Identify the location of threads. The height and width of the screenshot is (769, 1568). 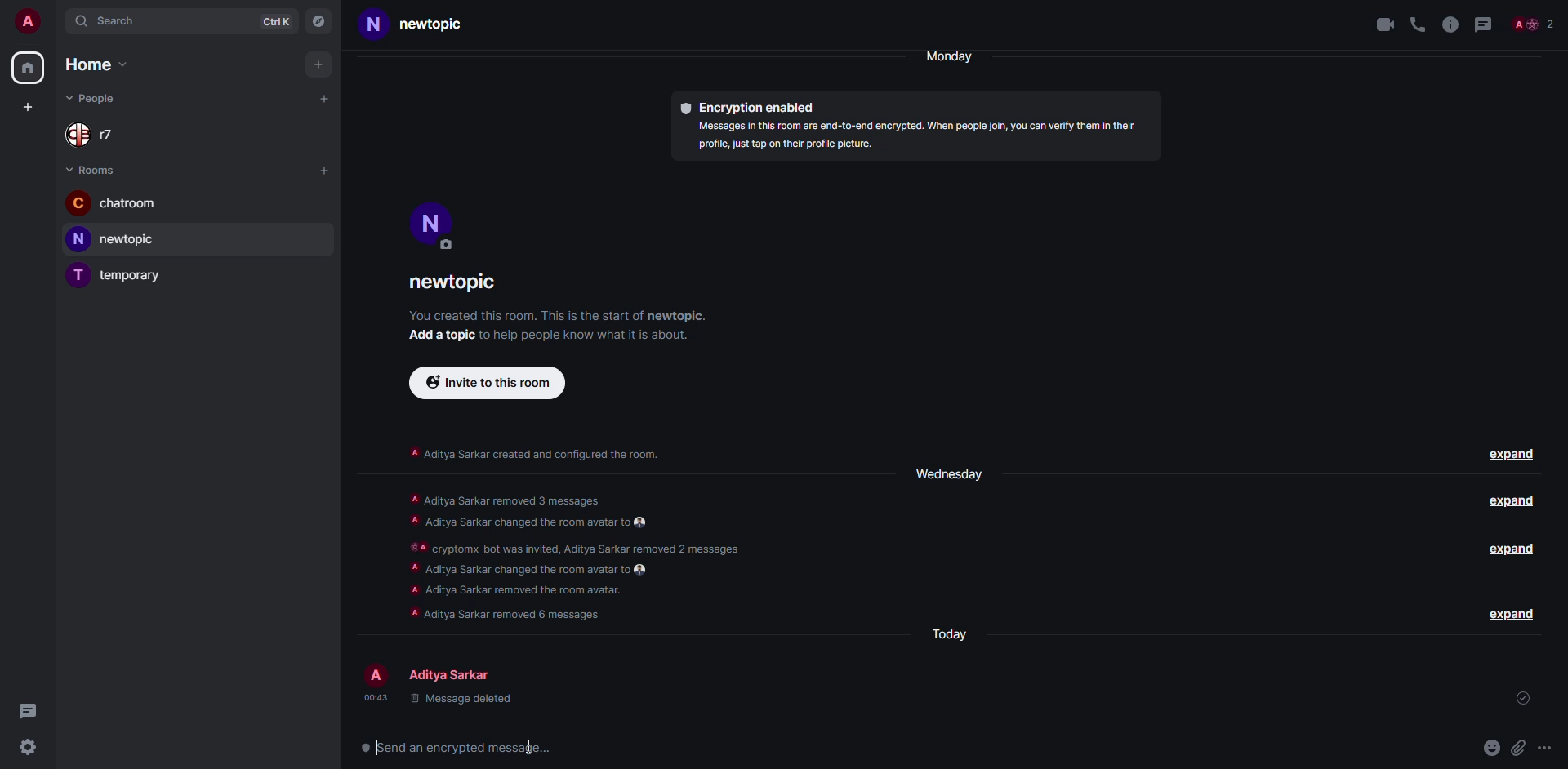
(1488, 24).